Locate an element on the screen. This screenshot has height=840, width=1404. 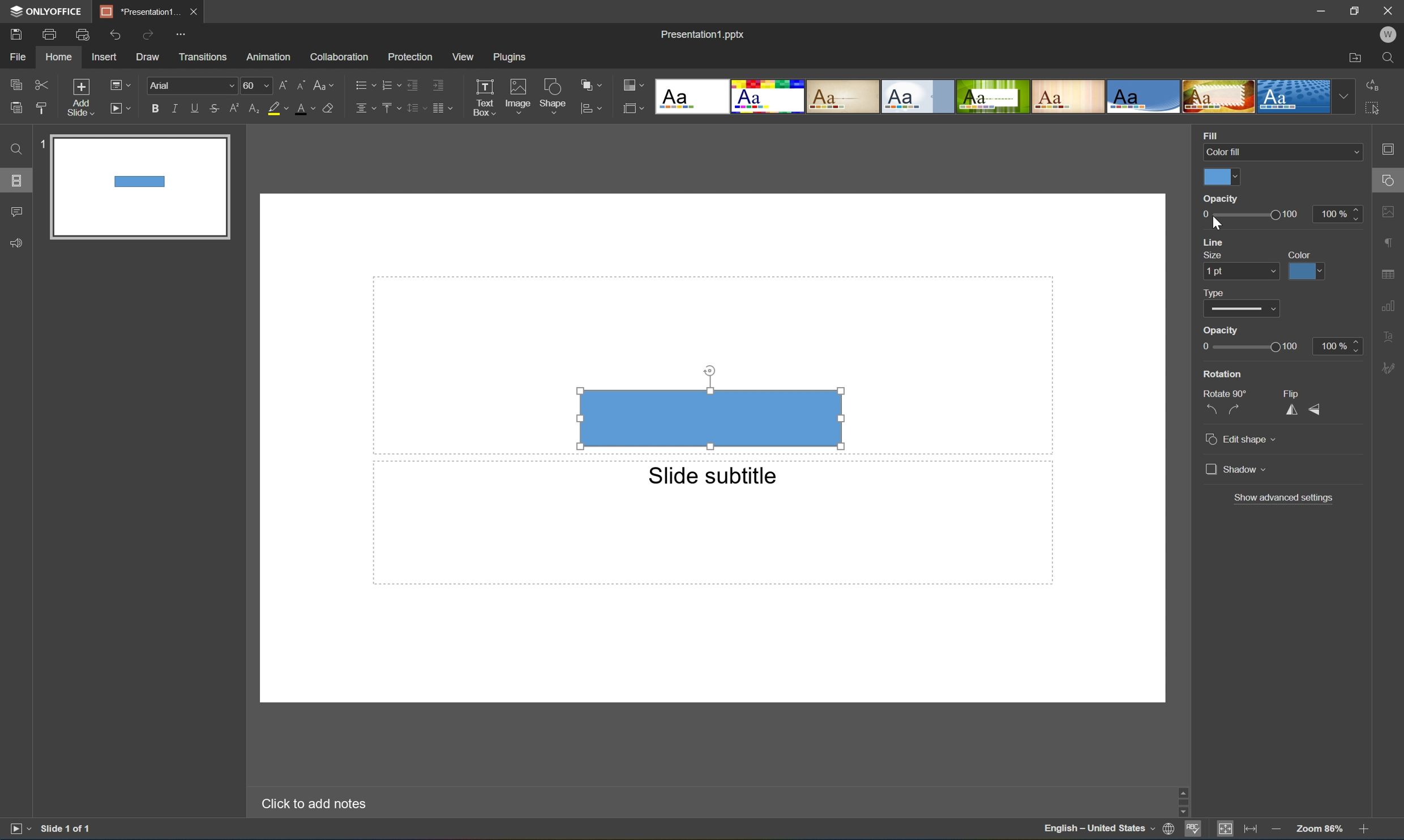
Change case is located at coordinates (327, 85).